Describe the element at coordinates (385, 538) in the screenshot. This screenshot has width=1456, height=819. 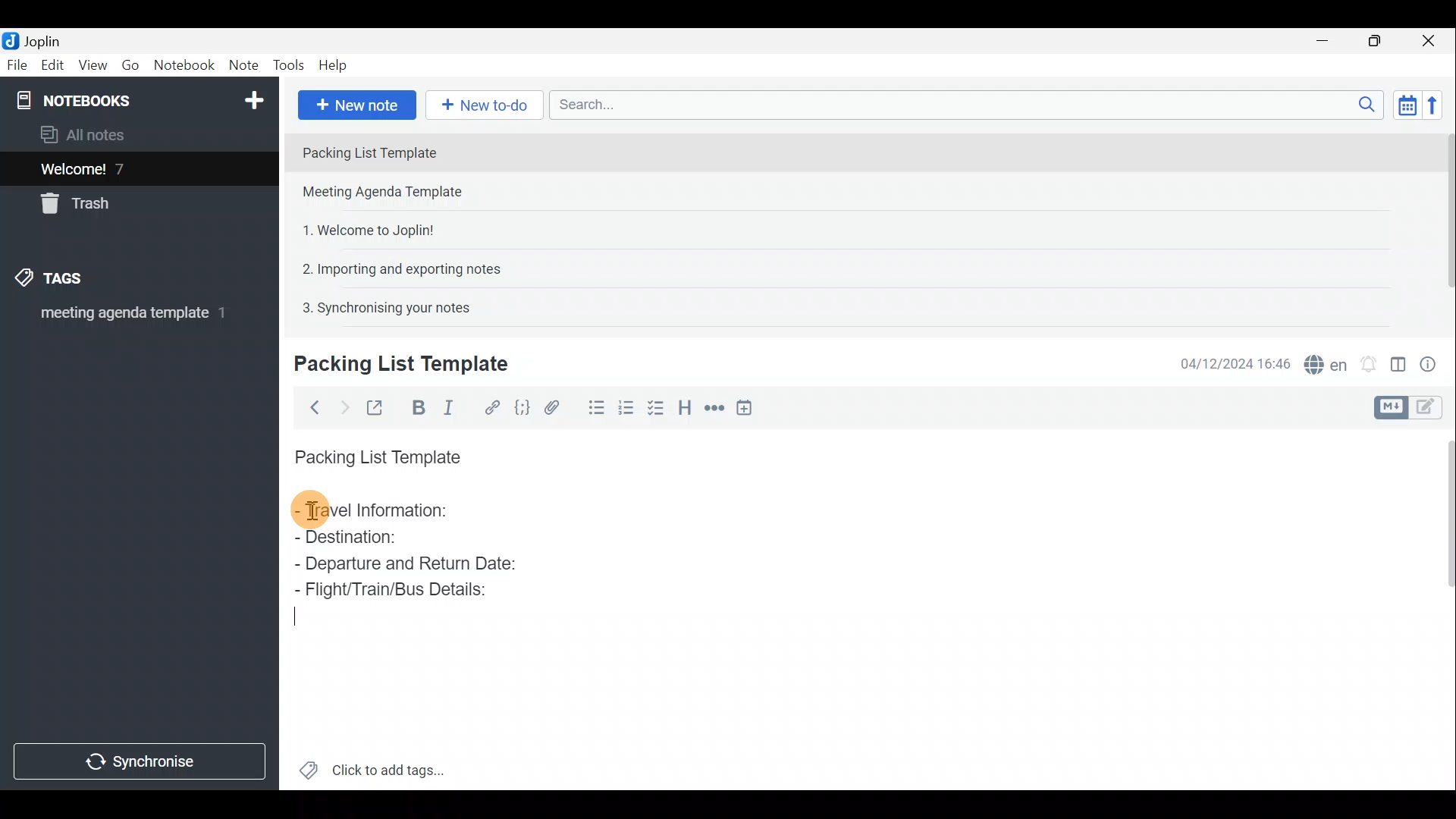
I see `Destination:` at that location.